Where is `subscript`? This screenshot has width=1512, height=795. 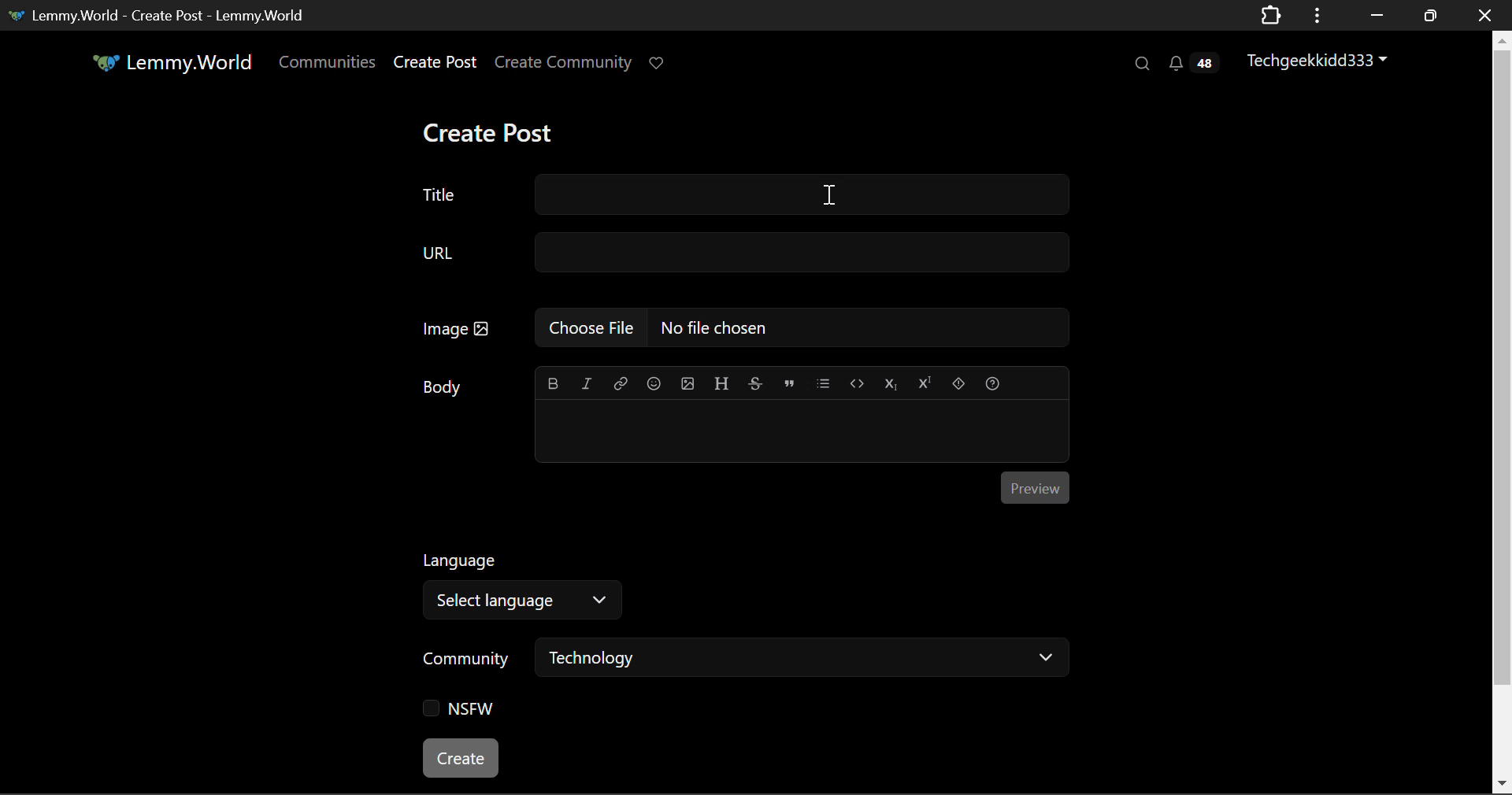
subscript is located at coordinates (891, 382).